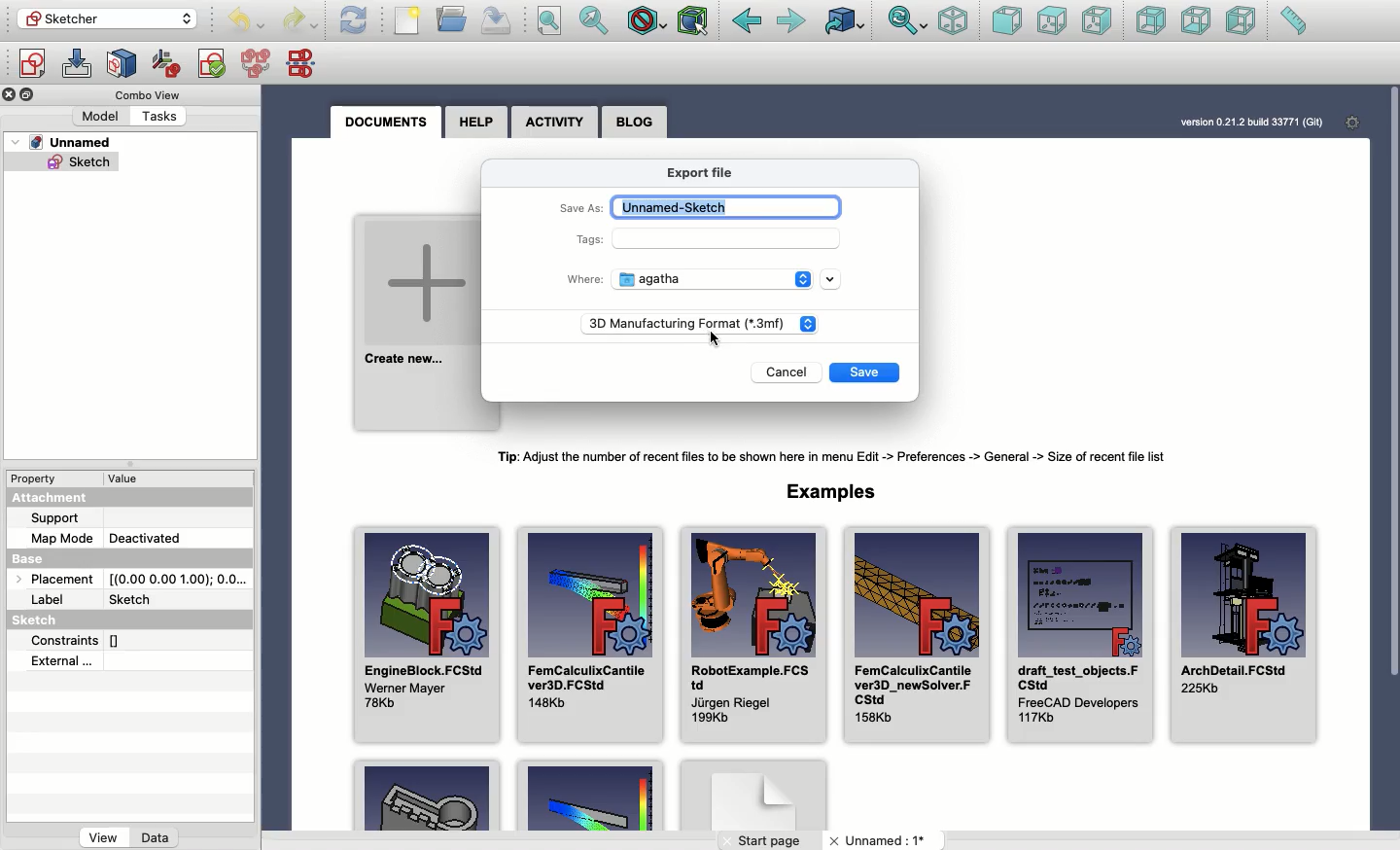 This screenshot has height=850, width=1400. What do you see at coordinates (1352, 124) in the screenshot?
I see `Settings` at bounding box center [1352, 124].